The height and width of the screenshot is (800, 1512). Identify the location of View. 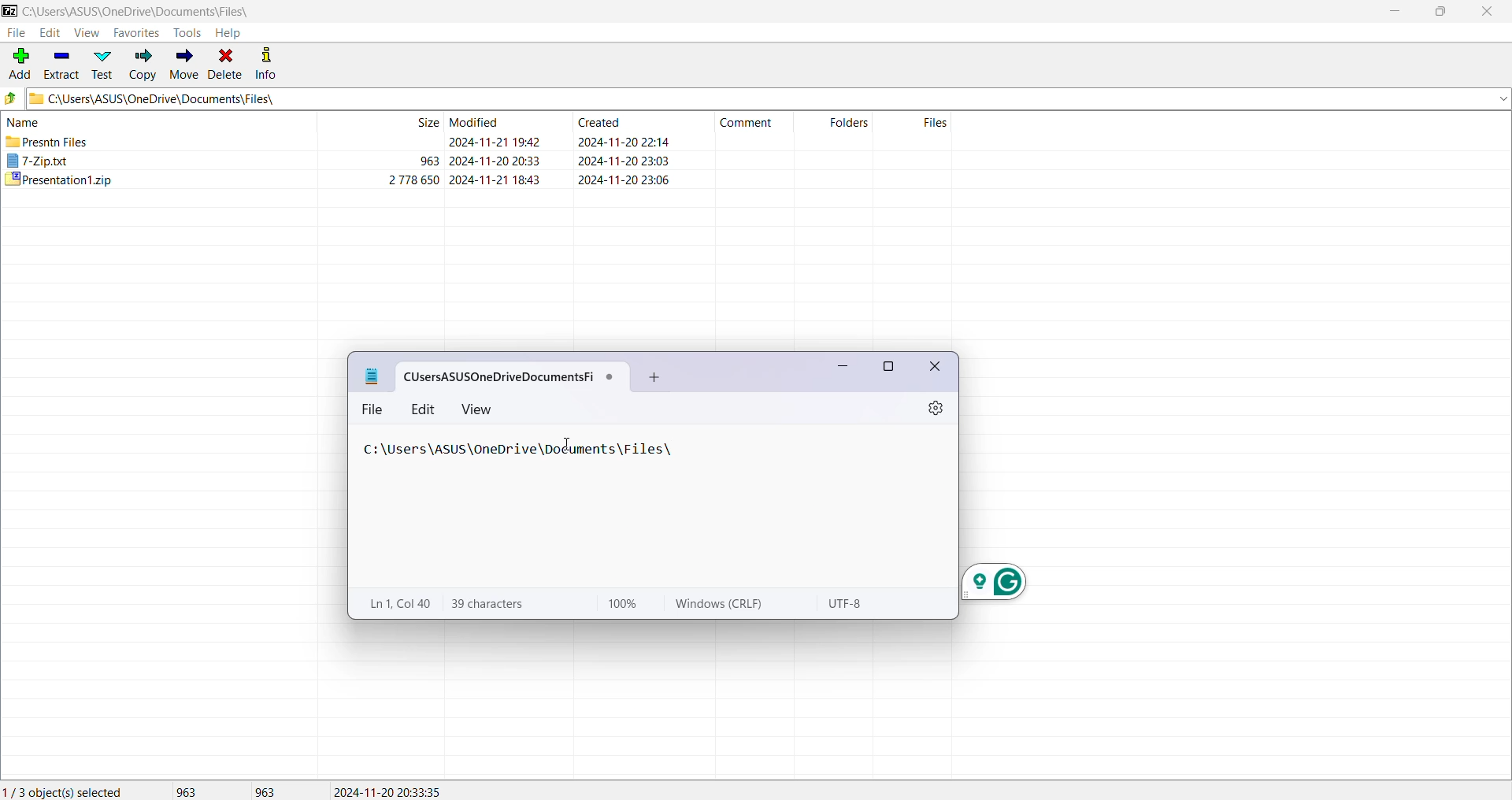
(86, 33).